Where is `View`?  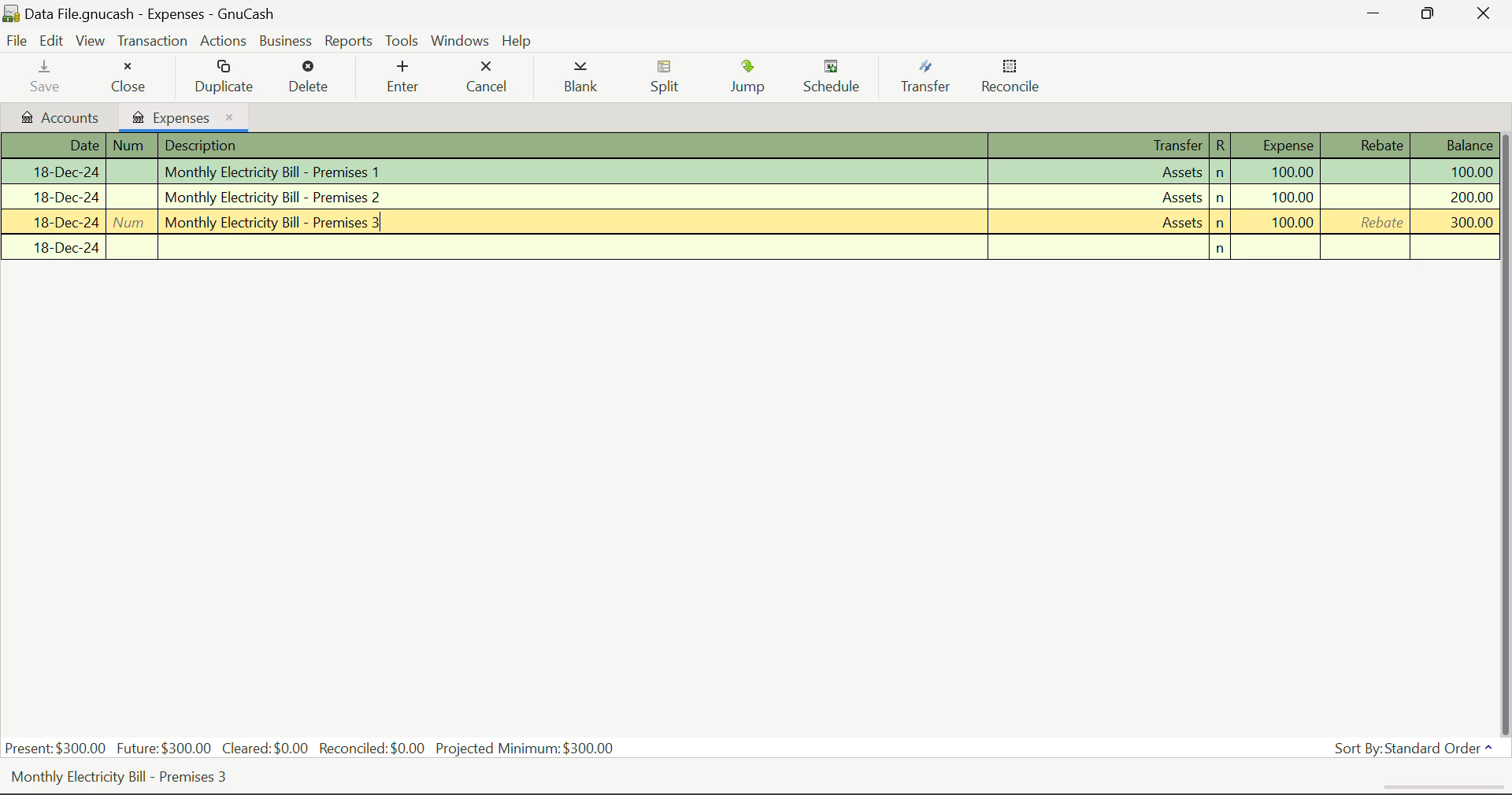
View is located at coordinates (91, 44).